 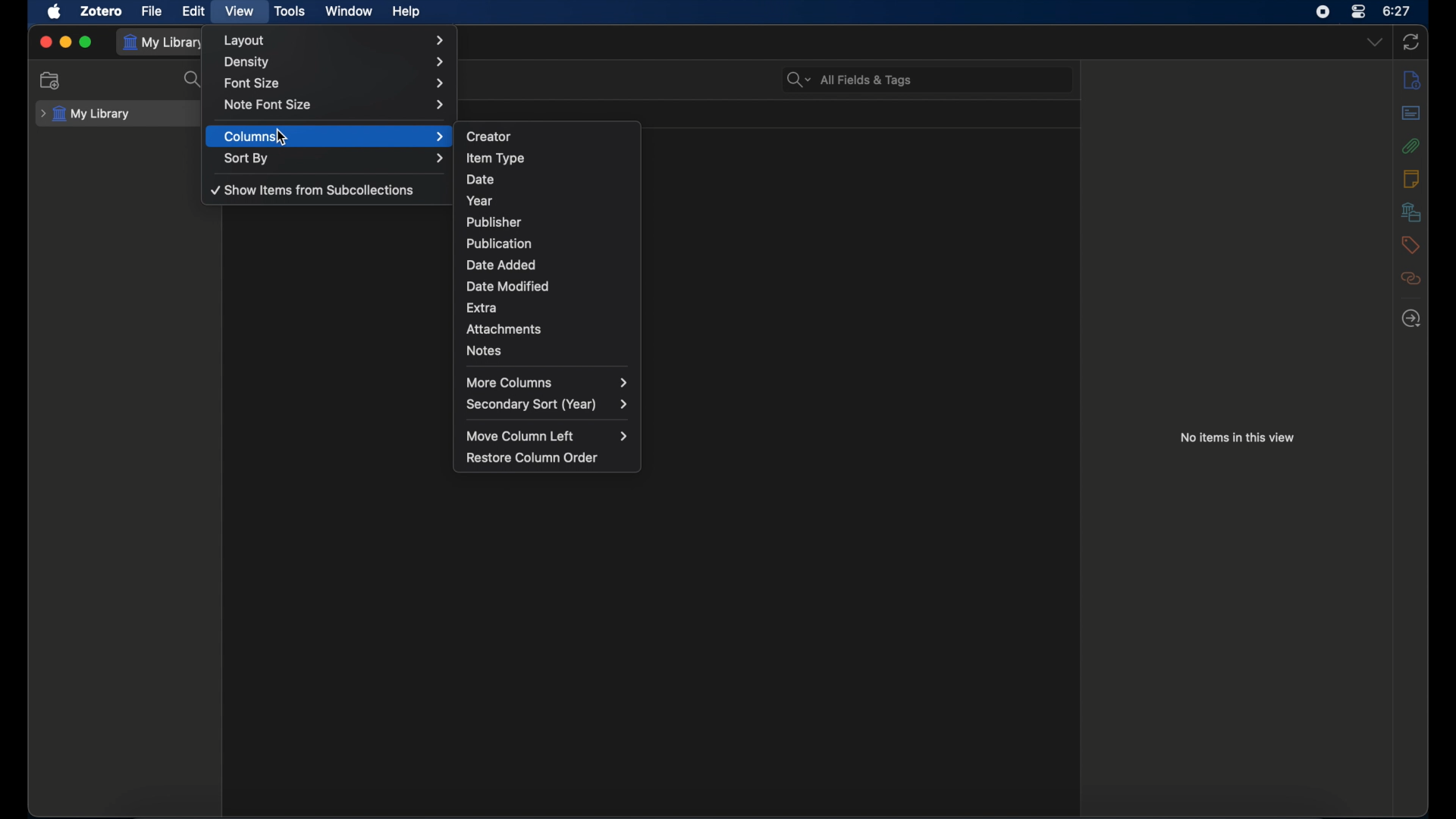 I want to click on search bar, so click(x=850, y=80).